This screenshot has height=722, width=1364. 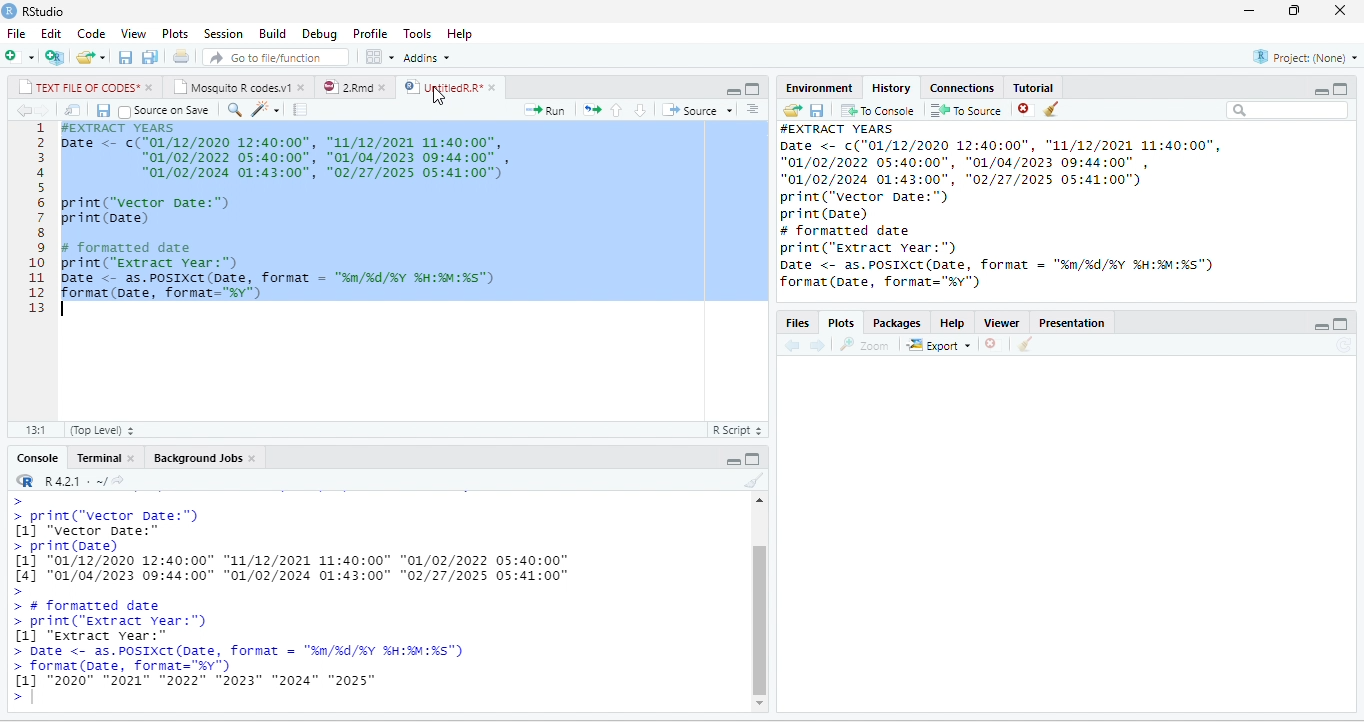 I want to click on search bar, so click(x=1287, y=111).